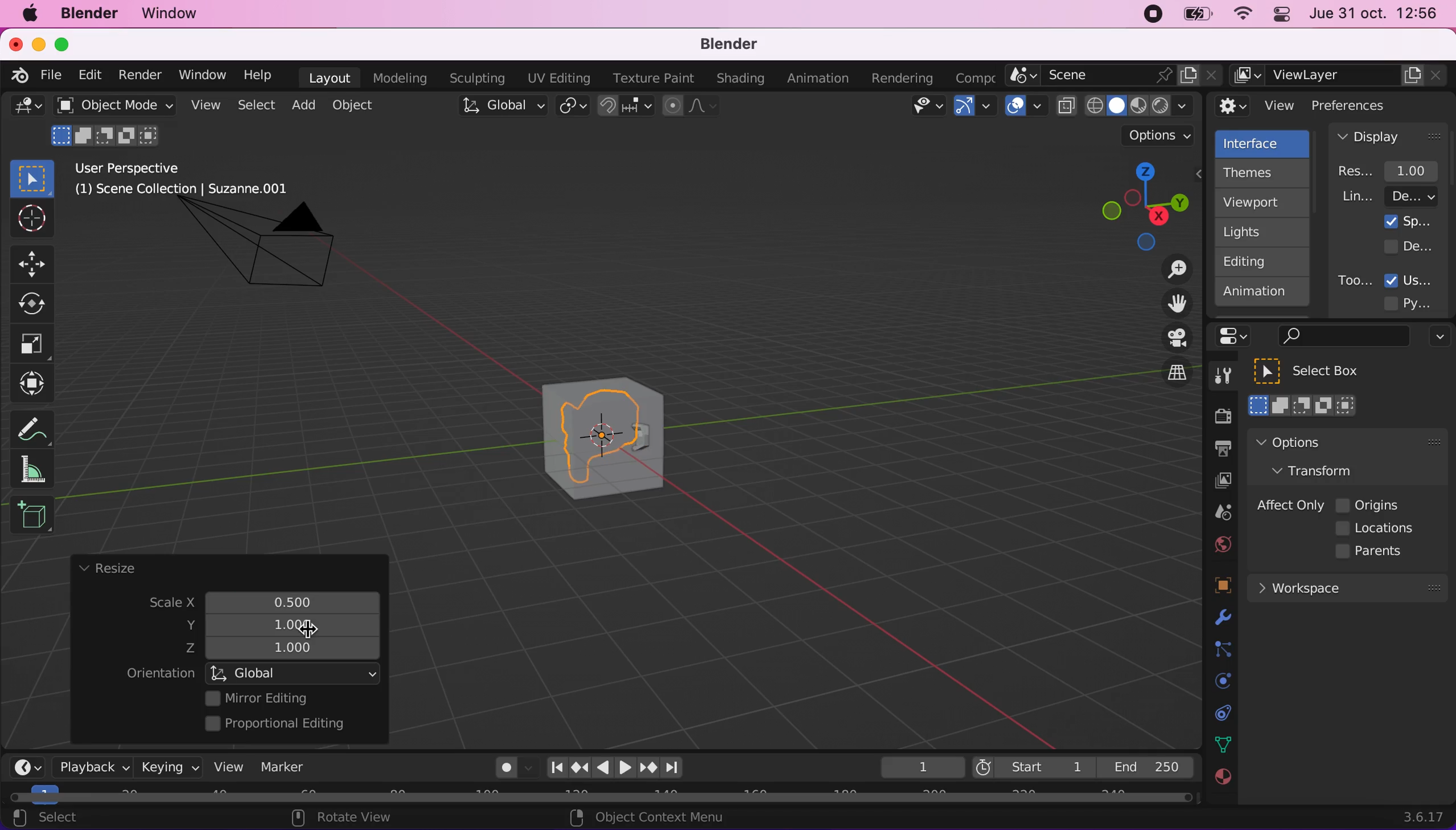 The image size is (1456, 830). Describe the element at coordinates (87, 75) in the screenshot. I see `edit` at that location.